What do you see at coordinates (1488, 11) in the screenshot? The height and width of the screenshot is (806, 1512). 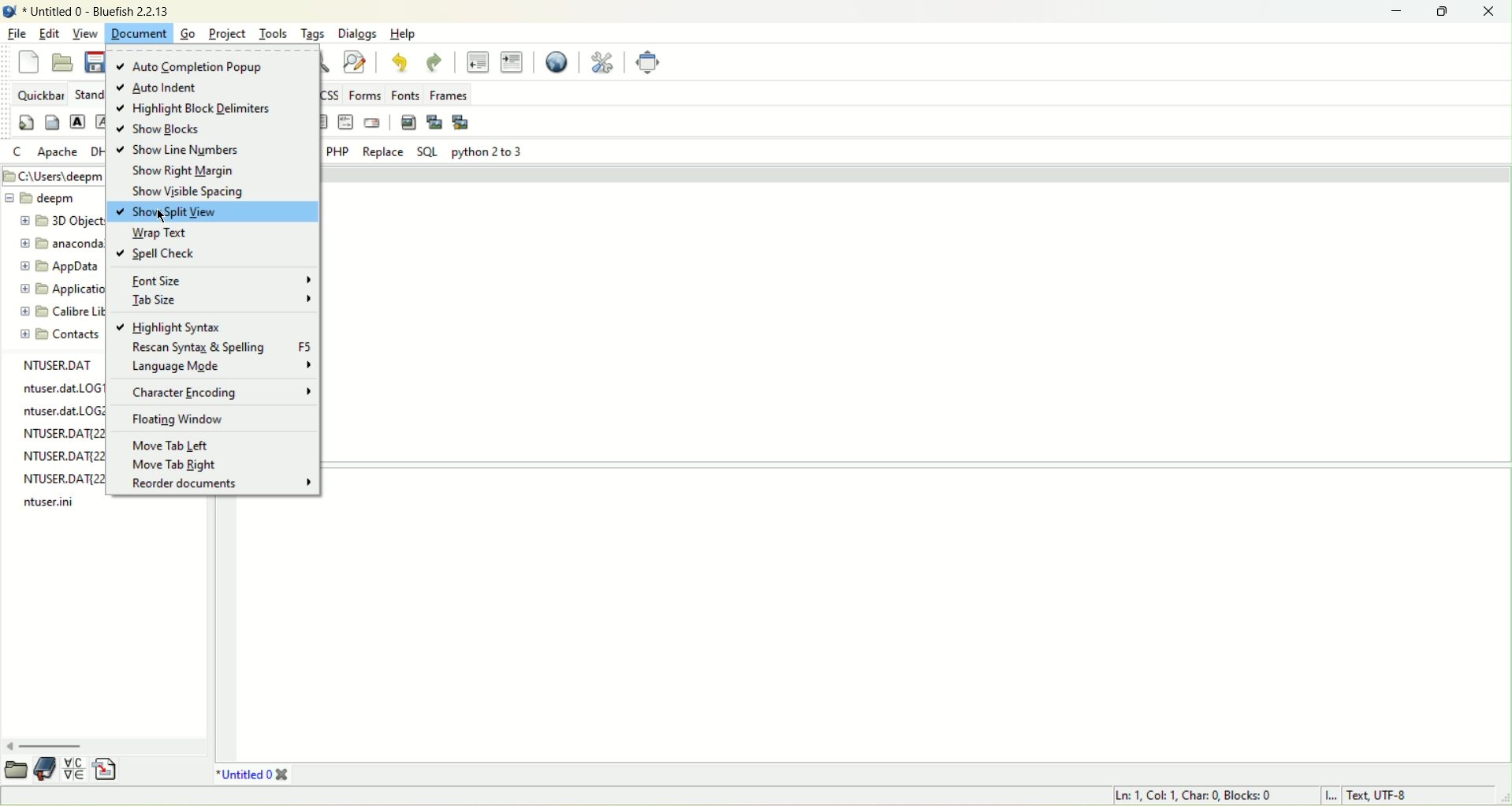 I see `close` at bounding box center [1488, 11].